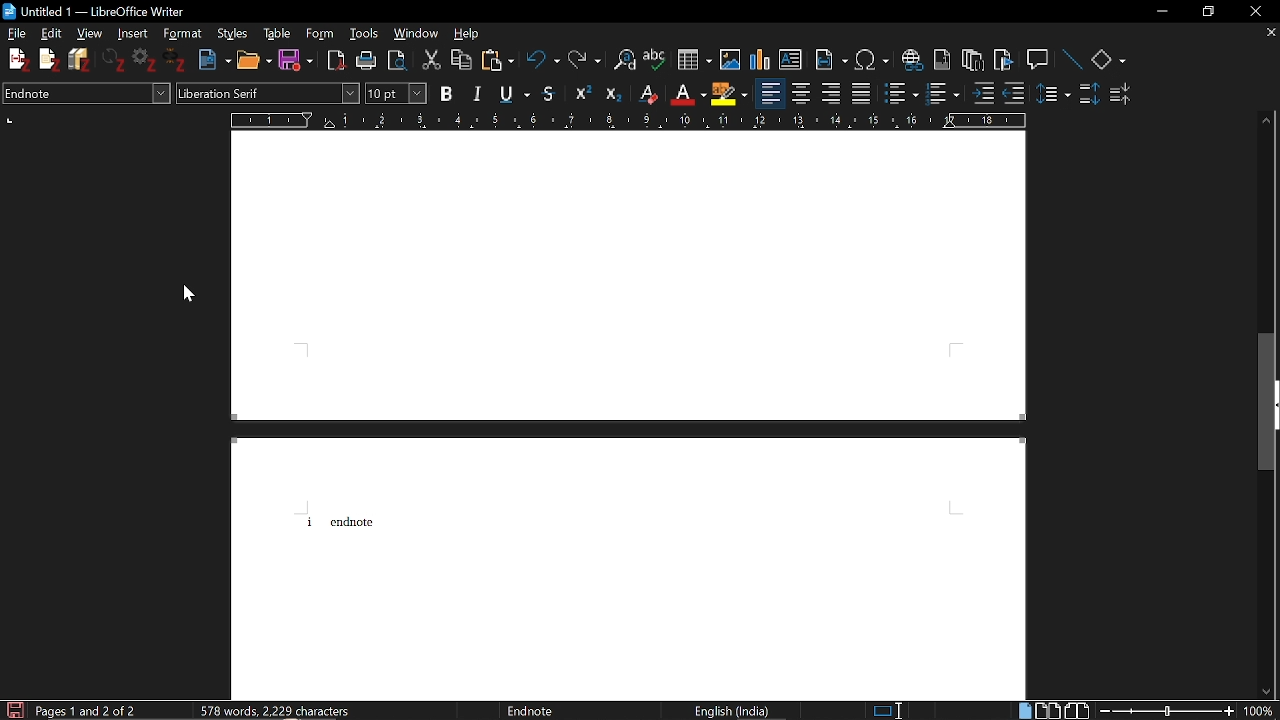  Describe the element at coordinates (268, 94) in the screenshot. I see `Font style` at that location.